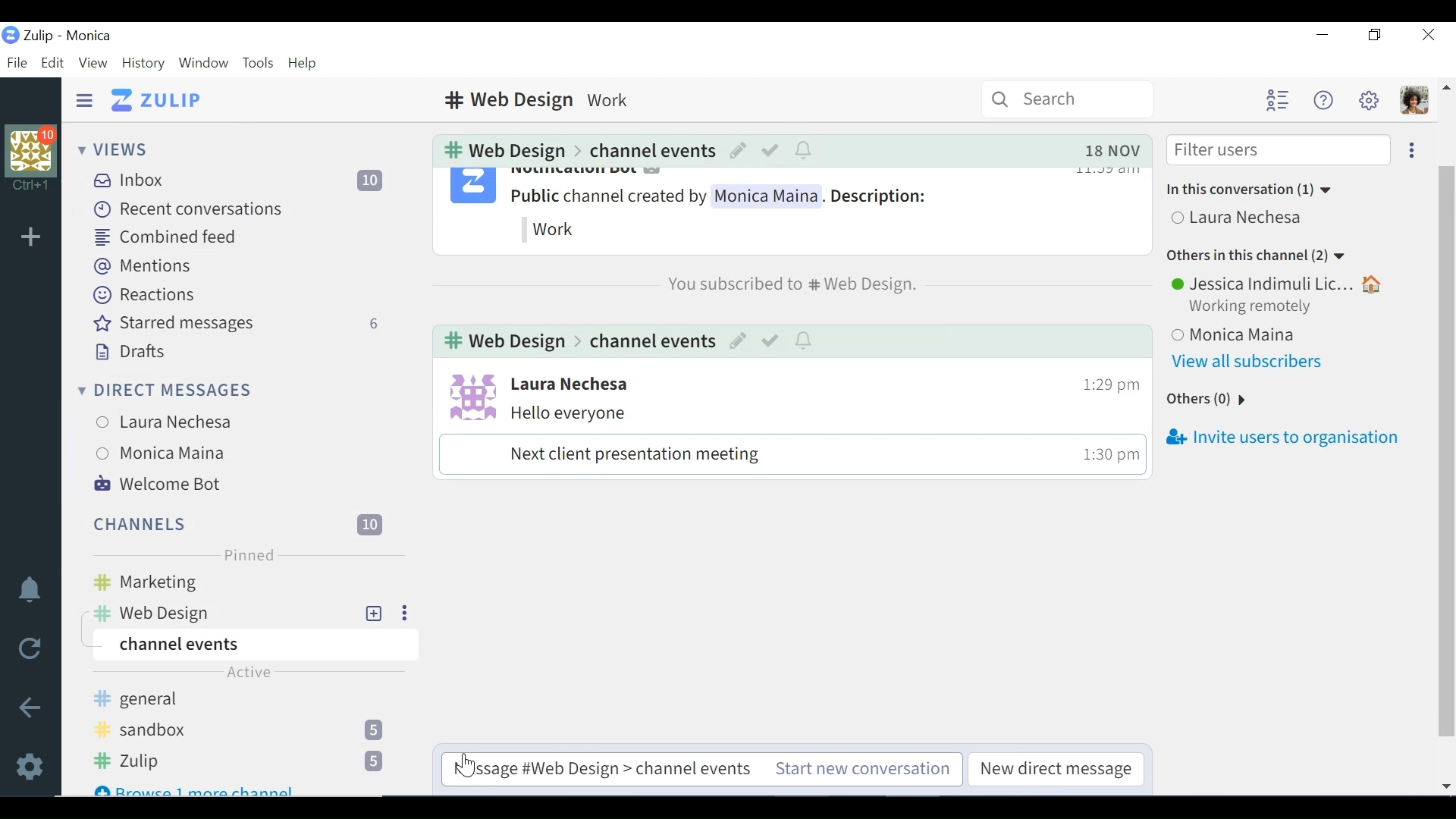  What do you see at coordinates (781, 439) in the screenshot?
I see `Messages` at bounding box center [781, 439].